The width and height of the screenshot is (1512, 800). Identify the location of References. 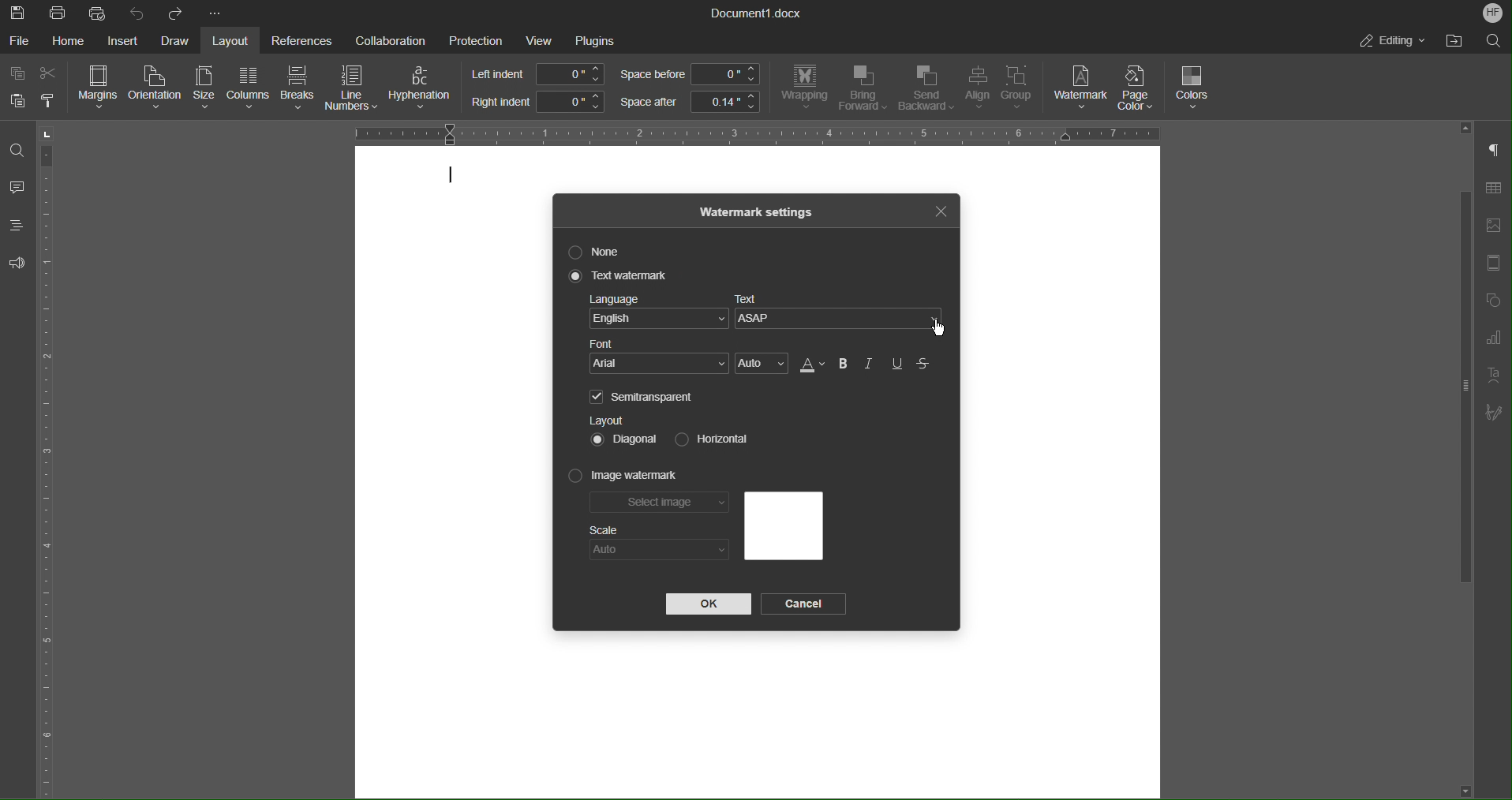
(299, 40).